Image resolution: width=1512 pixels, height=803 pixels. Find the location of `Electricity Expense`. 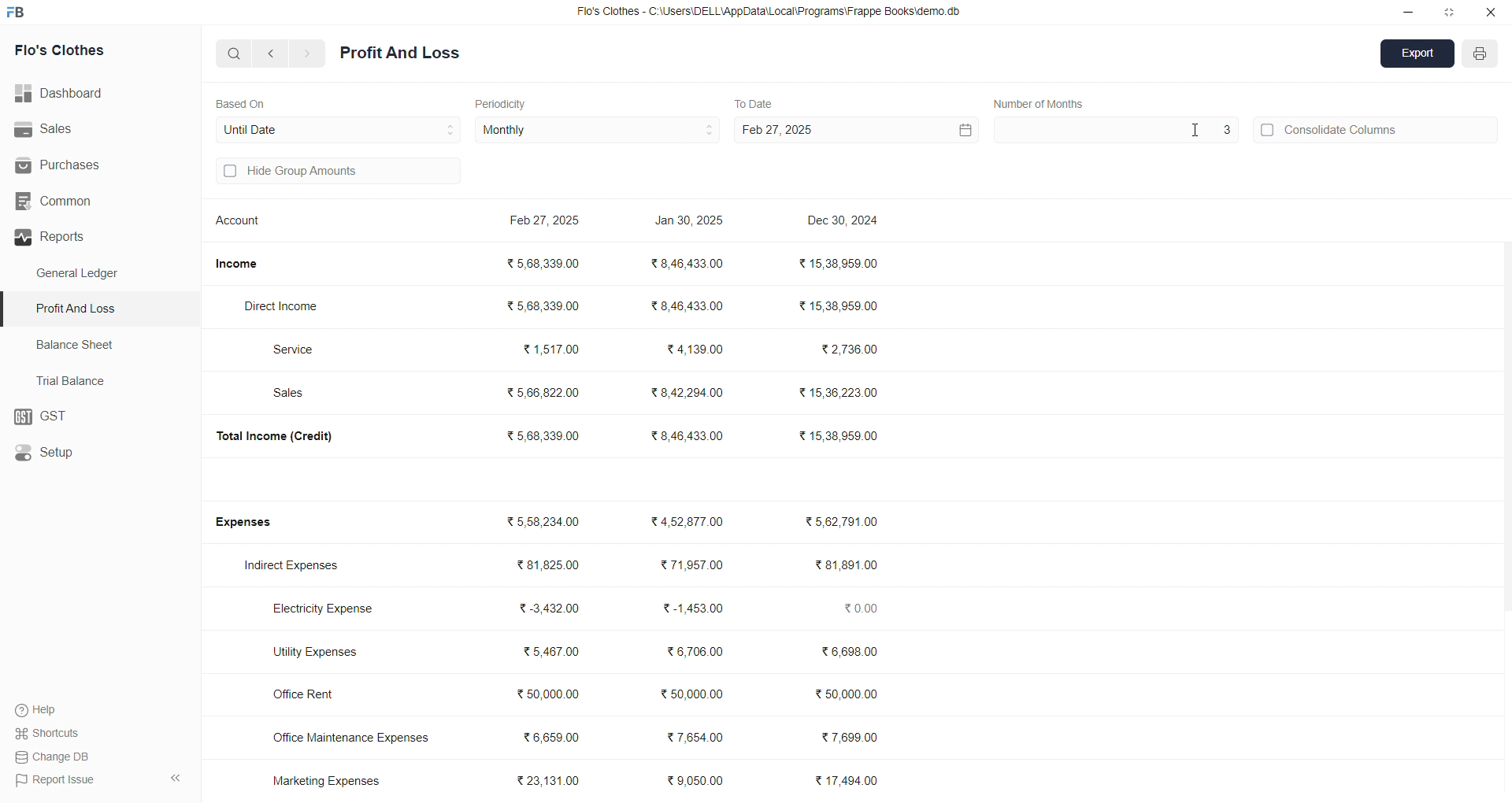

Electricity Expense is located at coordinates (328, 610).